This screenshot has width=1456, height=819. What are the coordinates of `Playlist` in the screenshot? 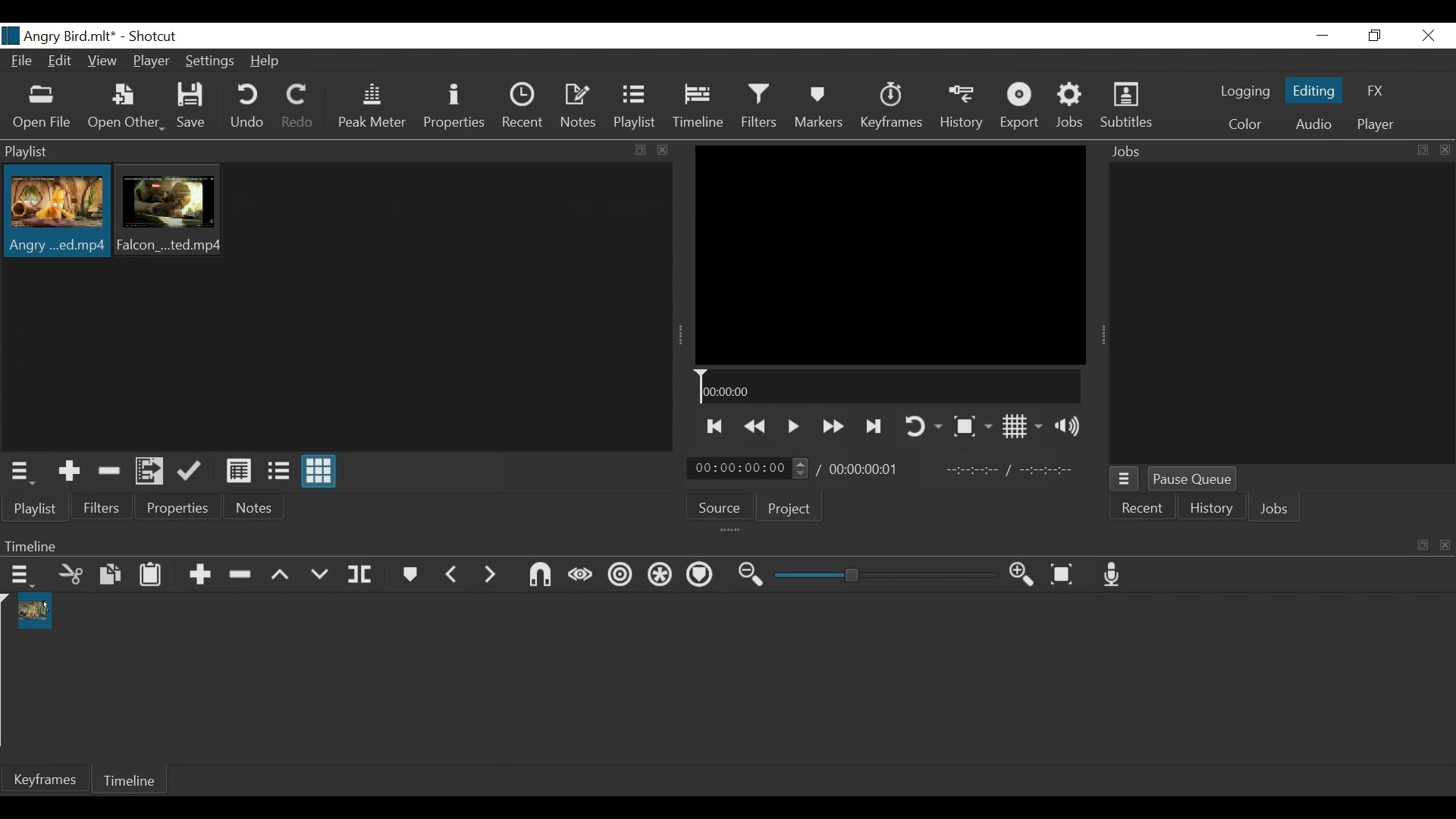 It's located at (35, 509).